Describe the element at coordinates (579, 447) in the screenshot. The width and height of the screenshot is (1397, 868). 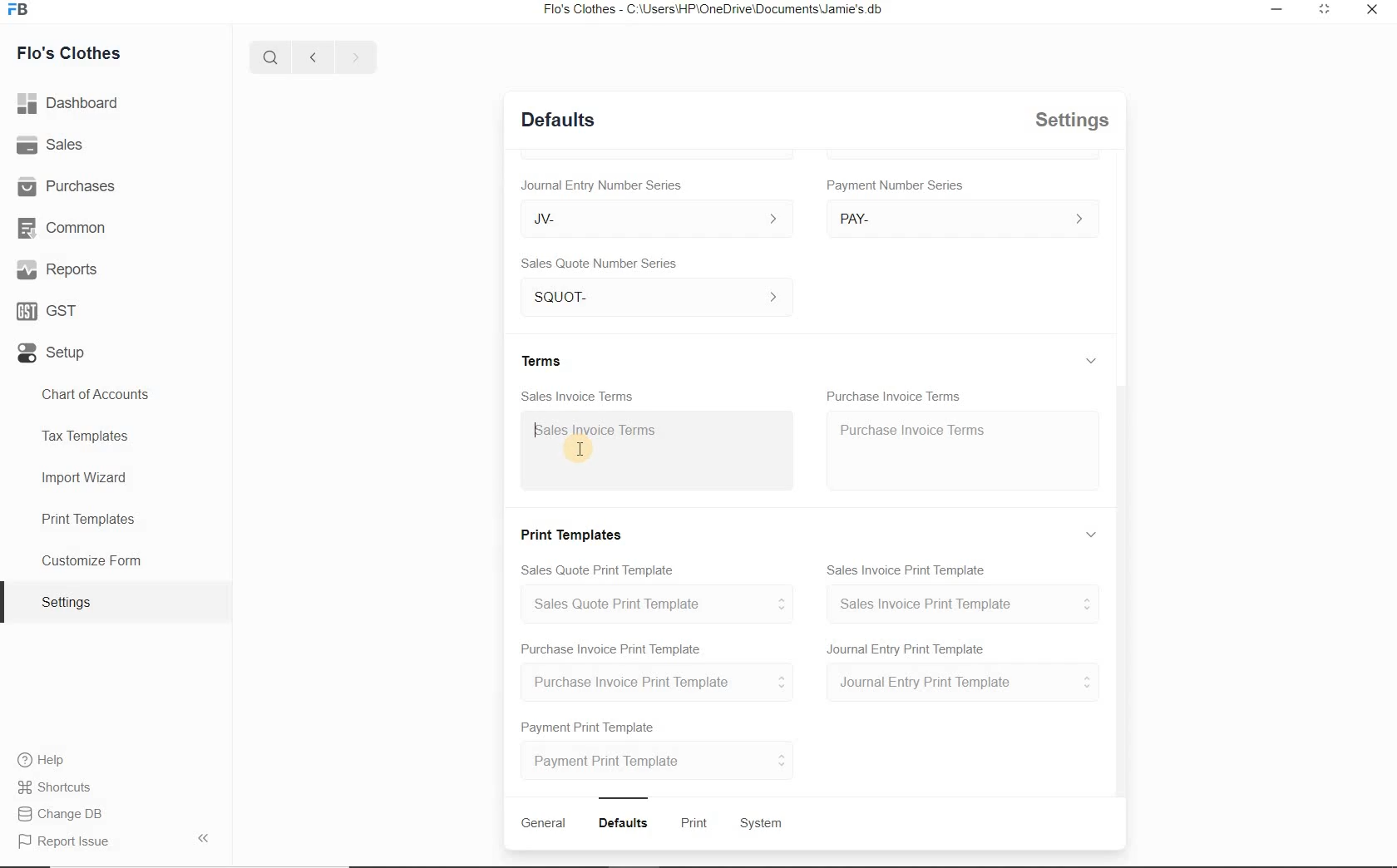
I see `Cursor` at that location.